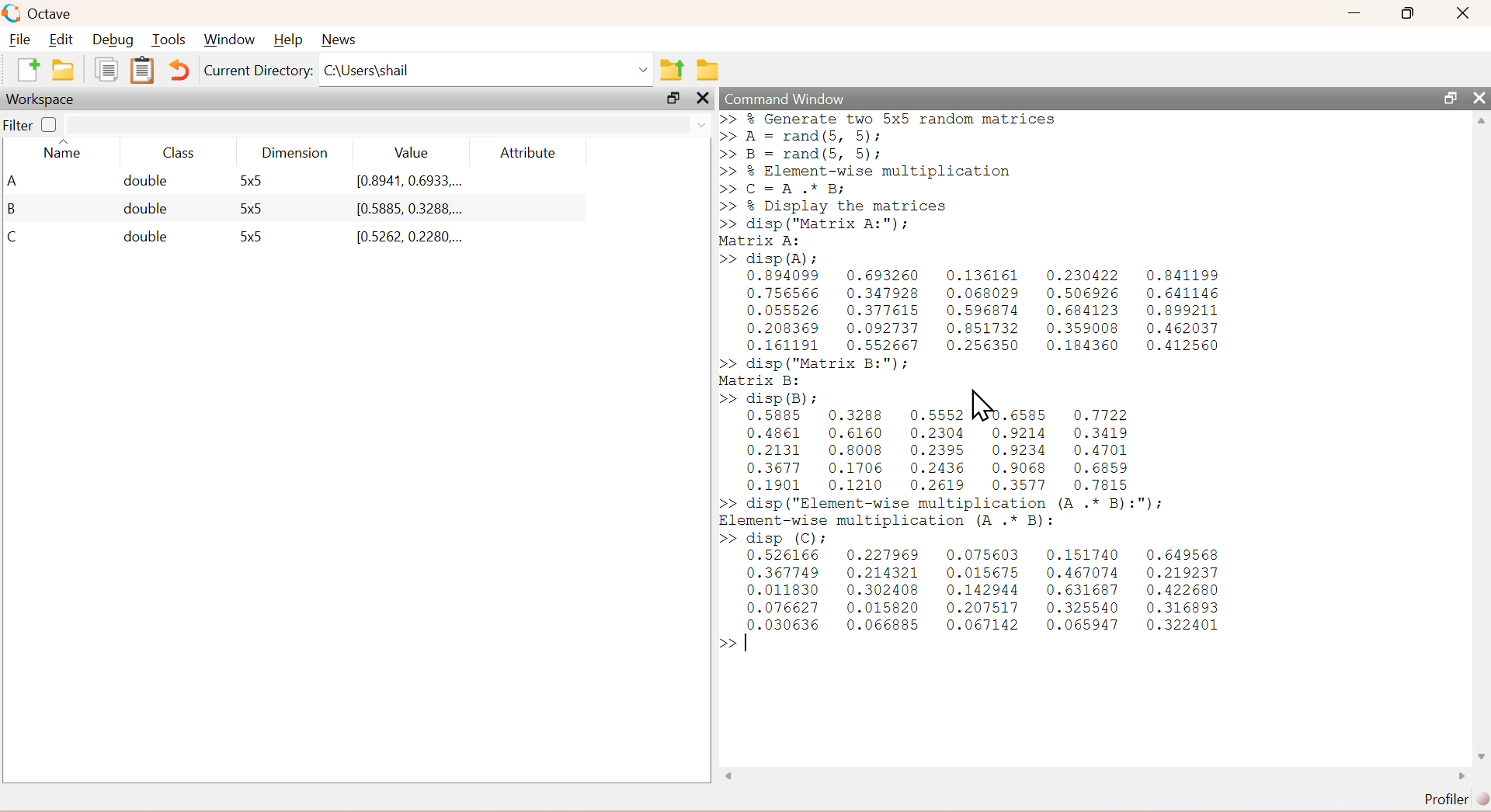  Describe the element at coordinates (783, 97) in the screenshot. I see `Command Window` at that location.